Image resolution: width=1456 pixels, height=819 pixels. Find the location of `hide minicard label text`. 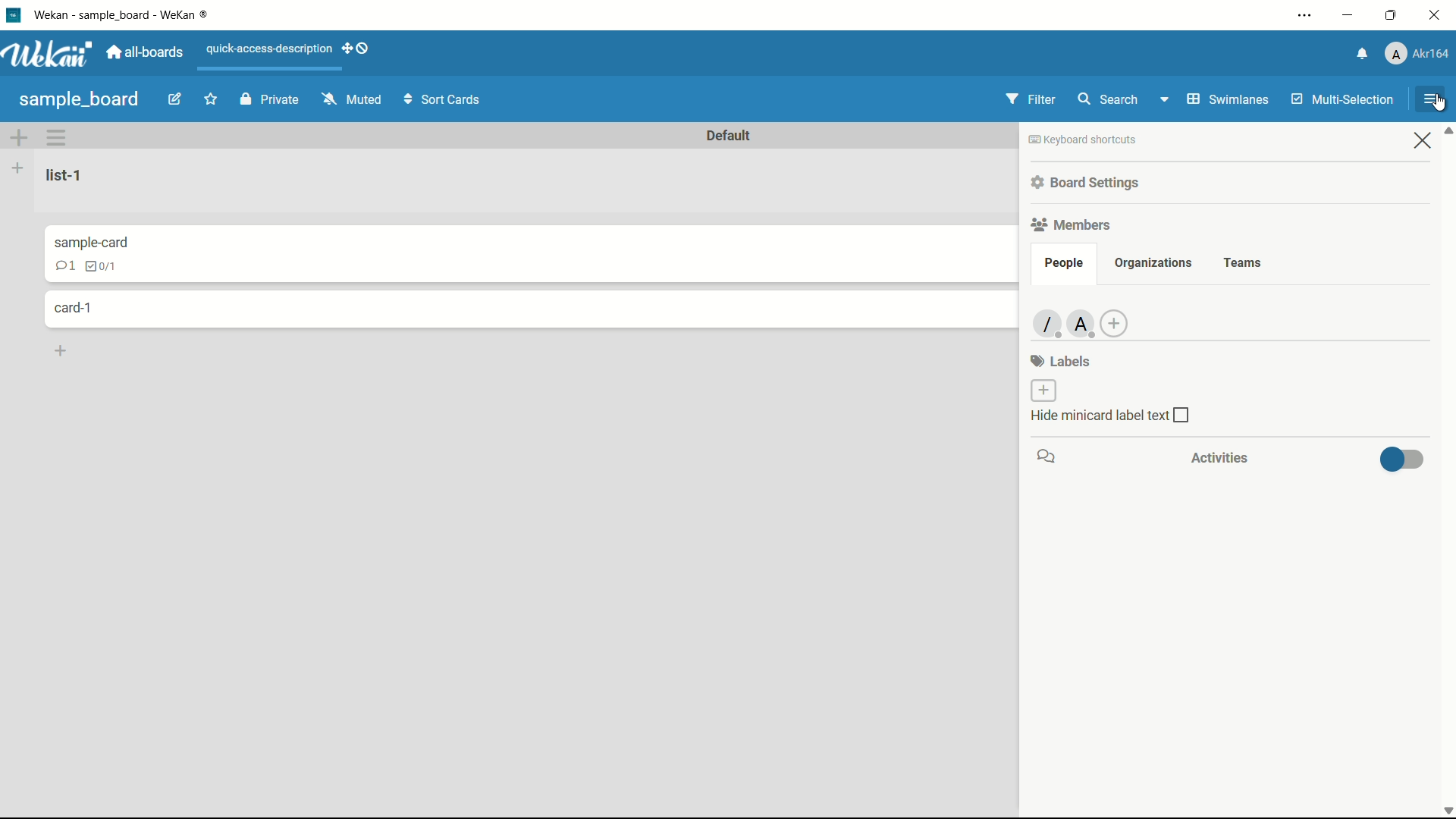

hide minicard label text is located at coordinates (1108, 416).